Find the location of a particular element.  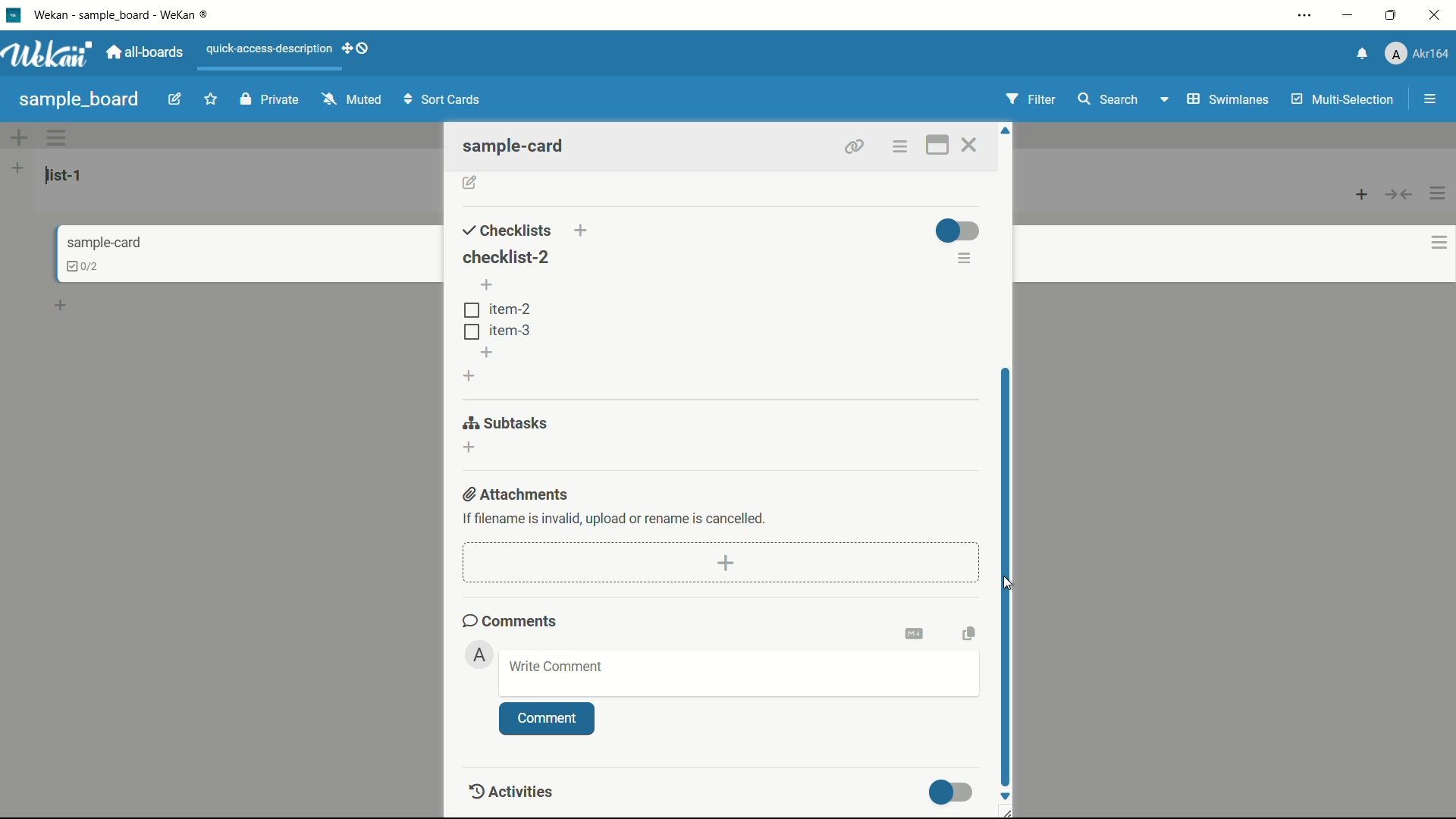

add attachment is located at coordinates (727, 563).